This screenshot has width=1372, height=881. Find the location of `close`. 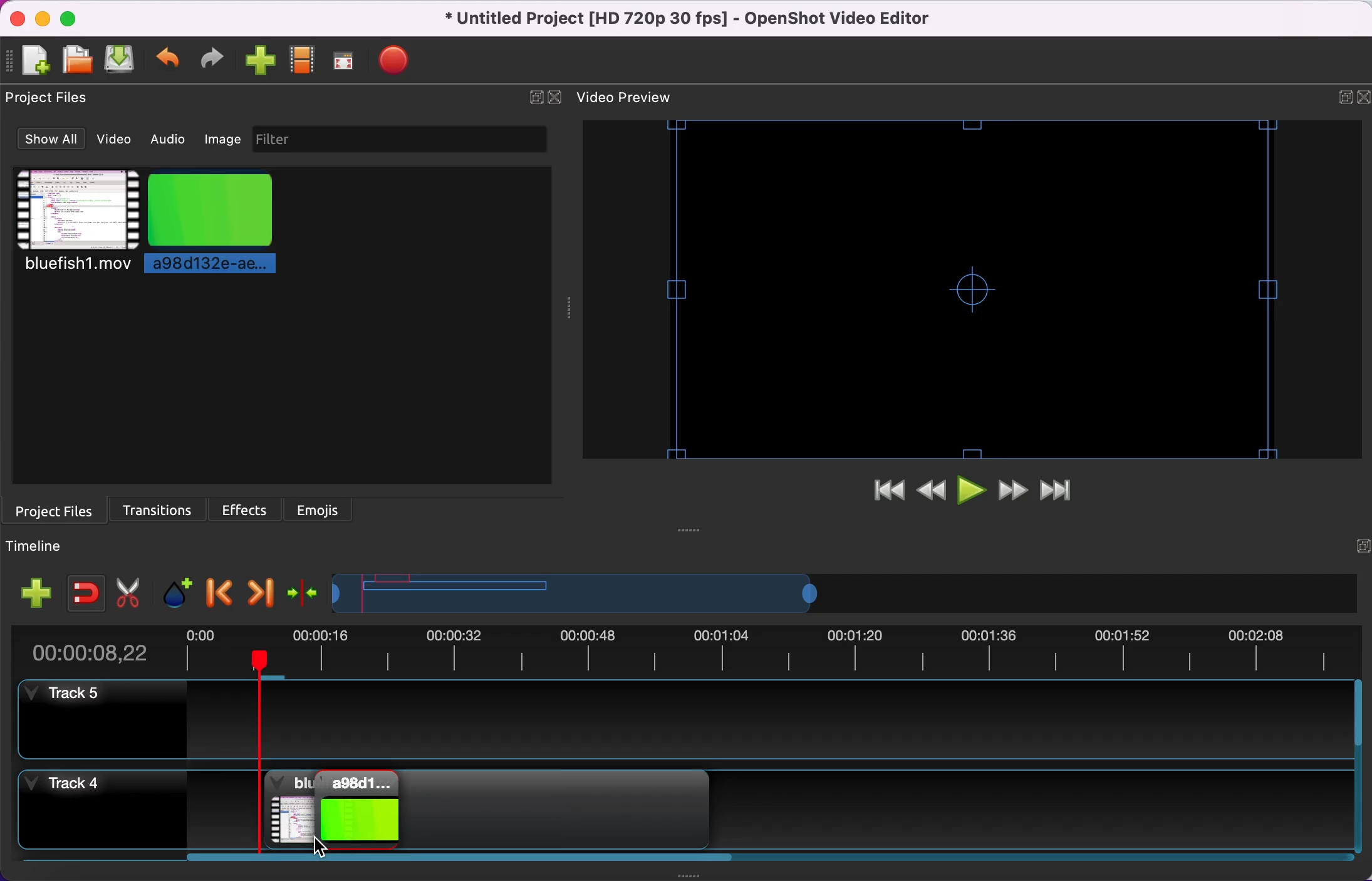

close is located at coordinates (558, 98).